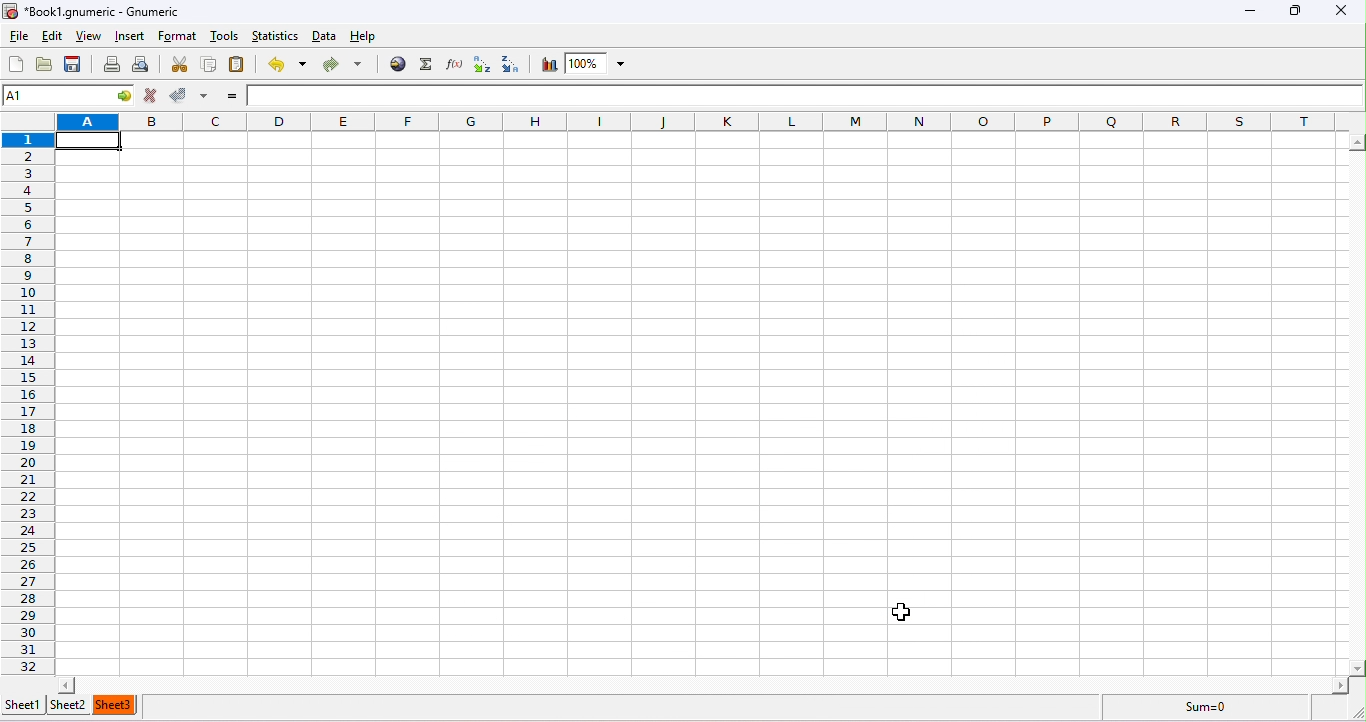  I want to click on maximize, so click(1292, 10).